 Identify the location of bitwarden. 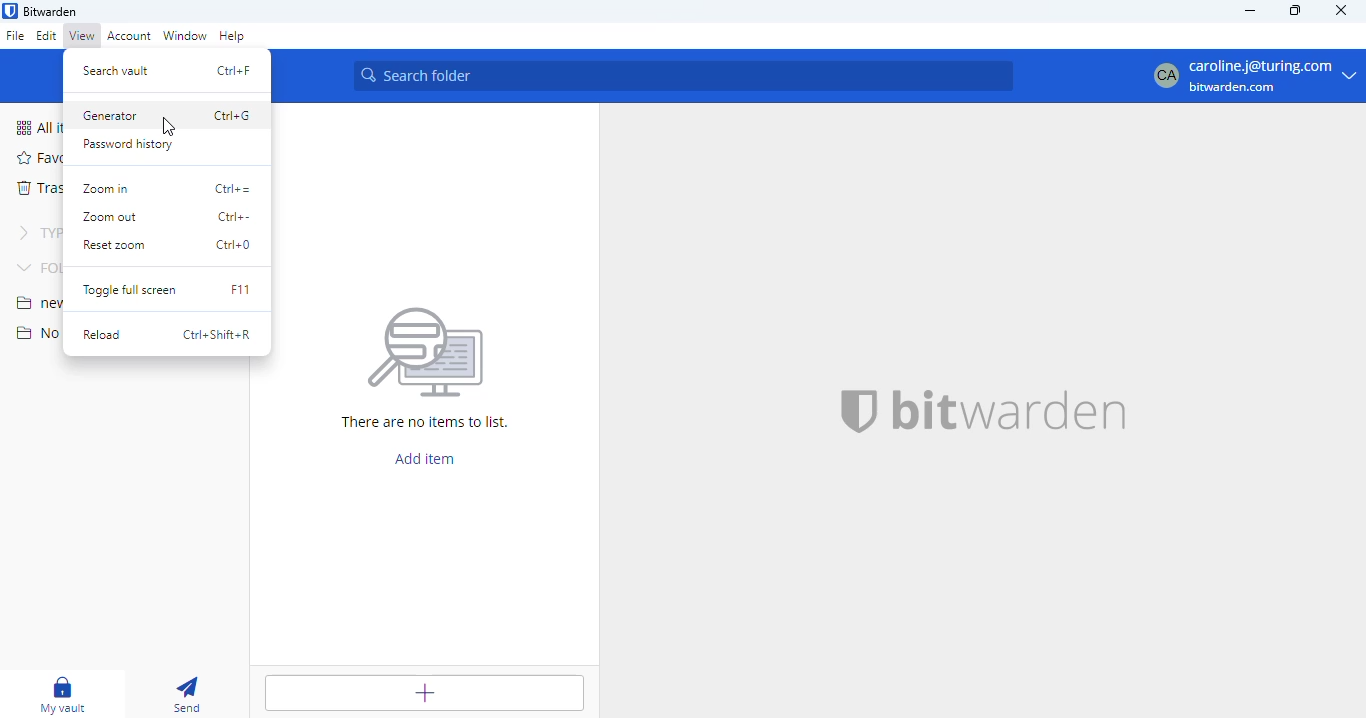
(50, 11).